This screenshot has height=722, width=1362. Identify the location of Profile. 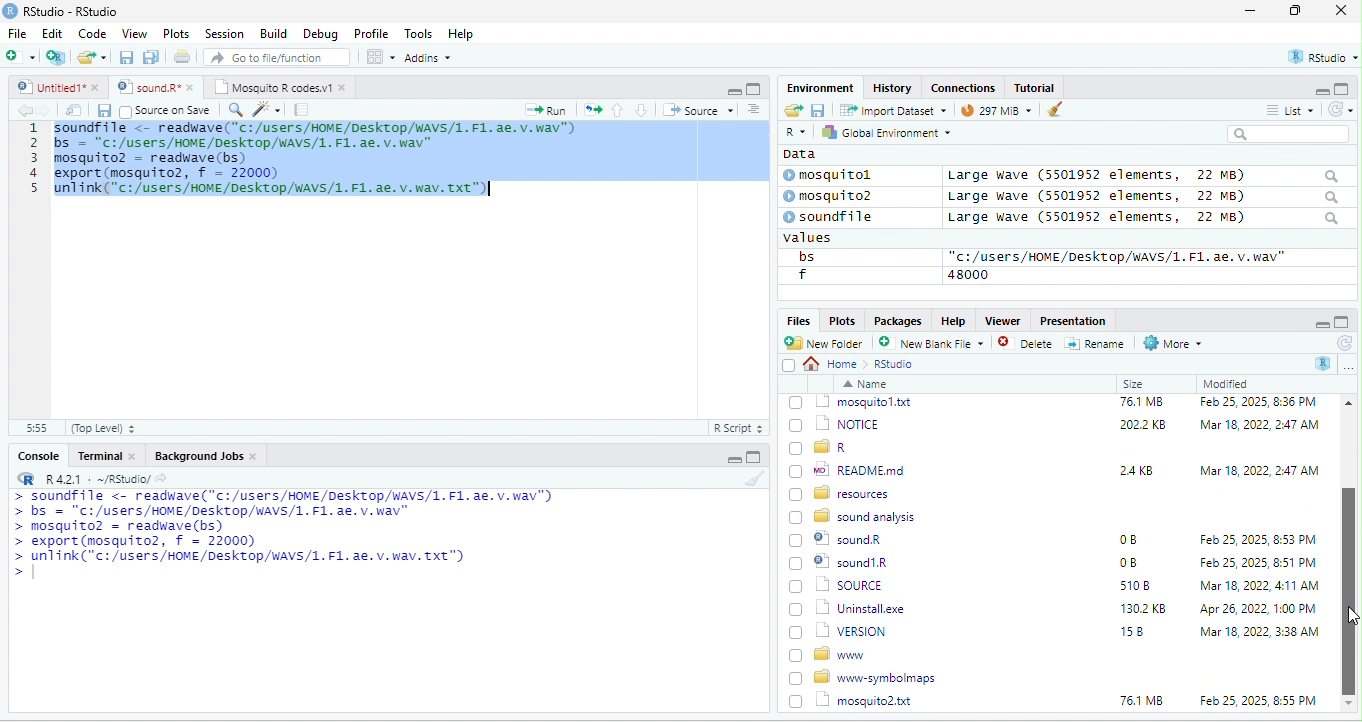
(371, 34).